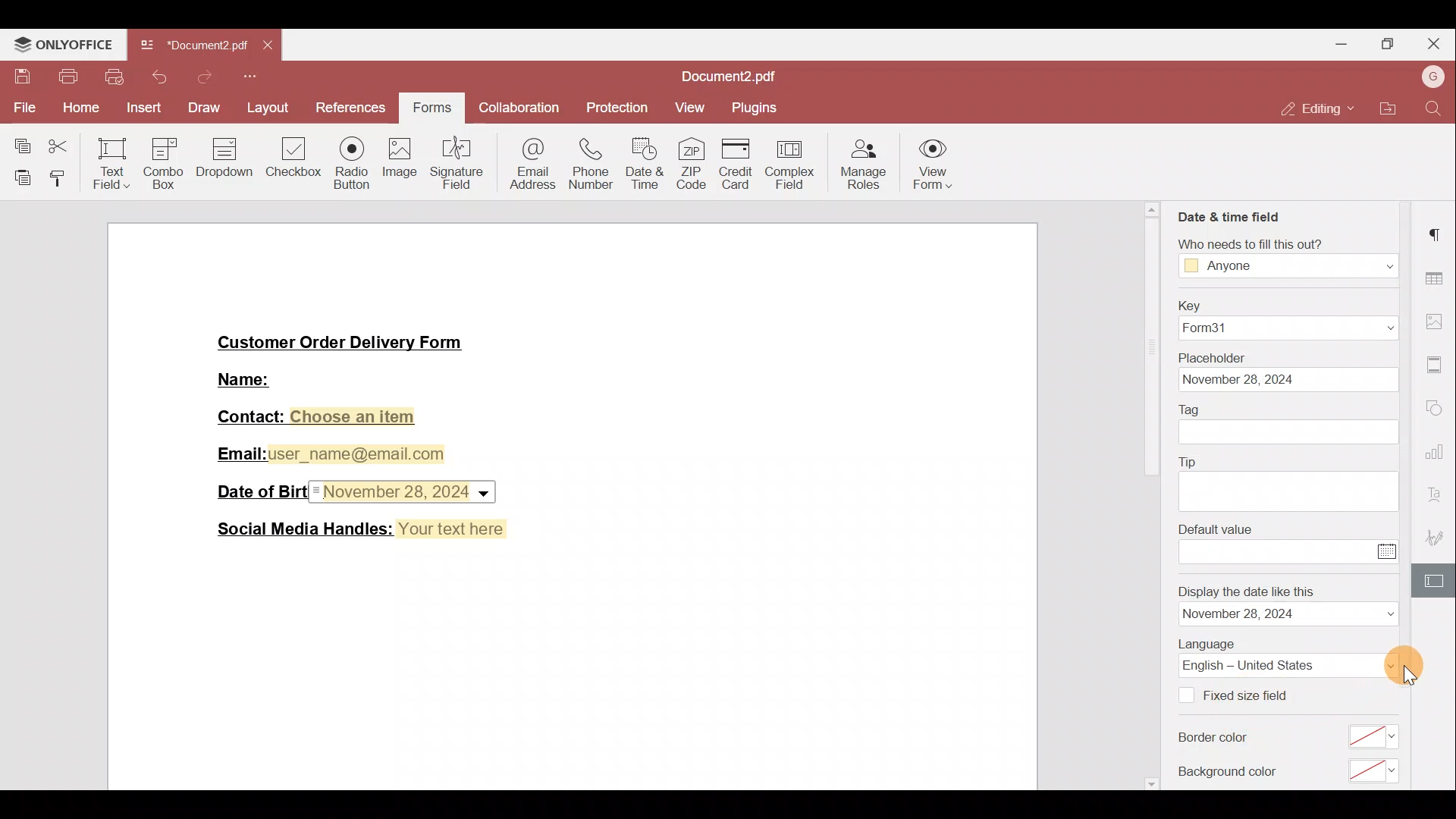  What do you see at coordinates (1289, 665) in the screenshot?
I see `Language ` at bounding box center [1289, 665].